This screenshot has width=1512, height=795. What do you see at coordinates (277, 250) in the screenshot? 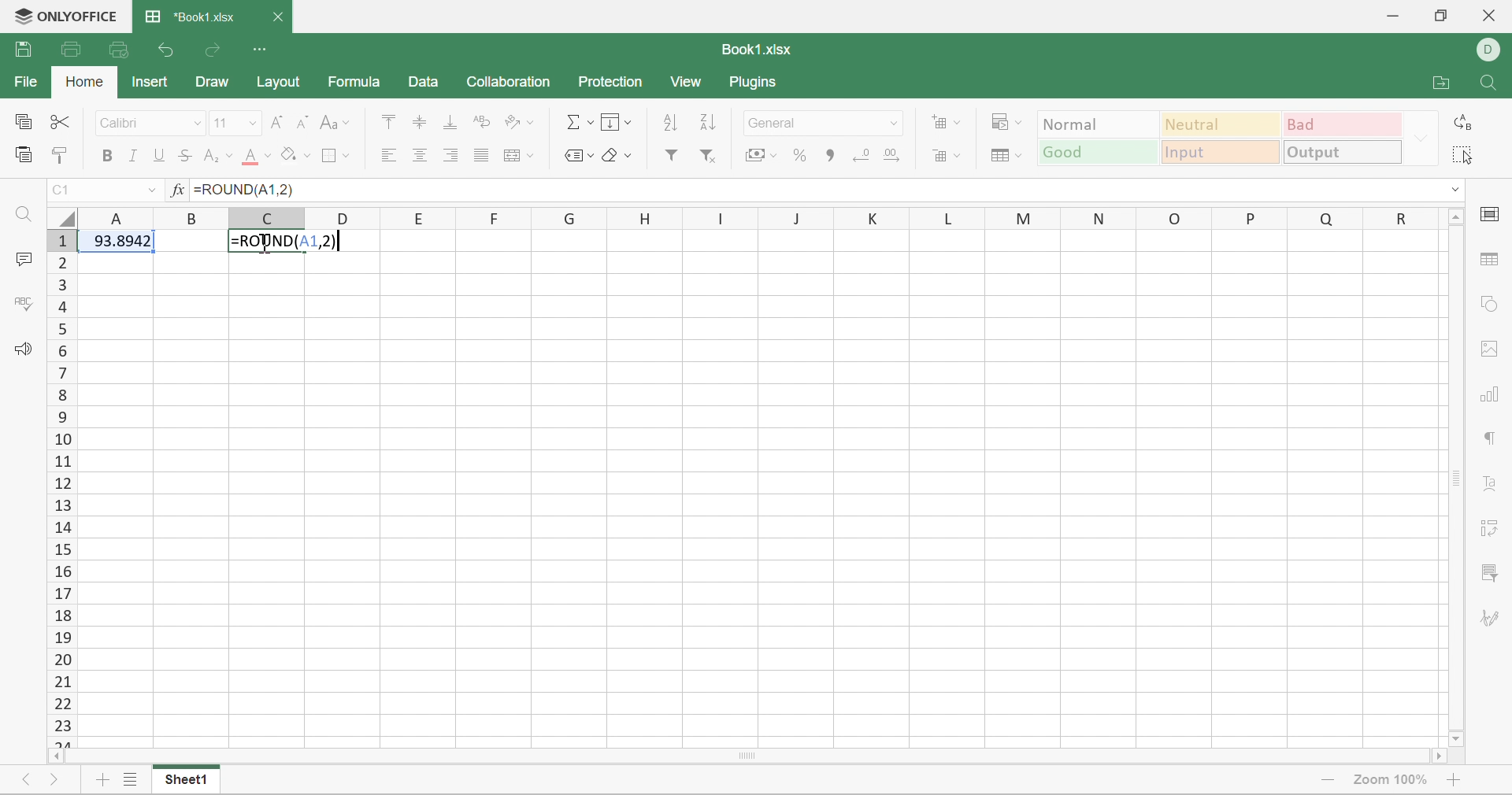
I see `cursor` at bounding box center [277, 250].